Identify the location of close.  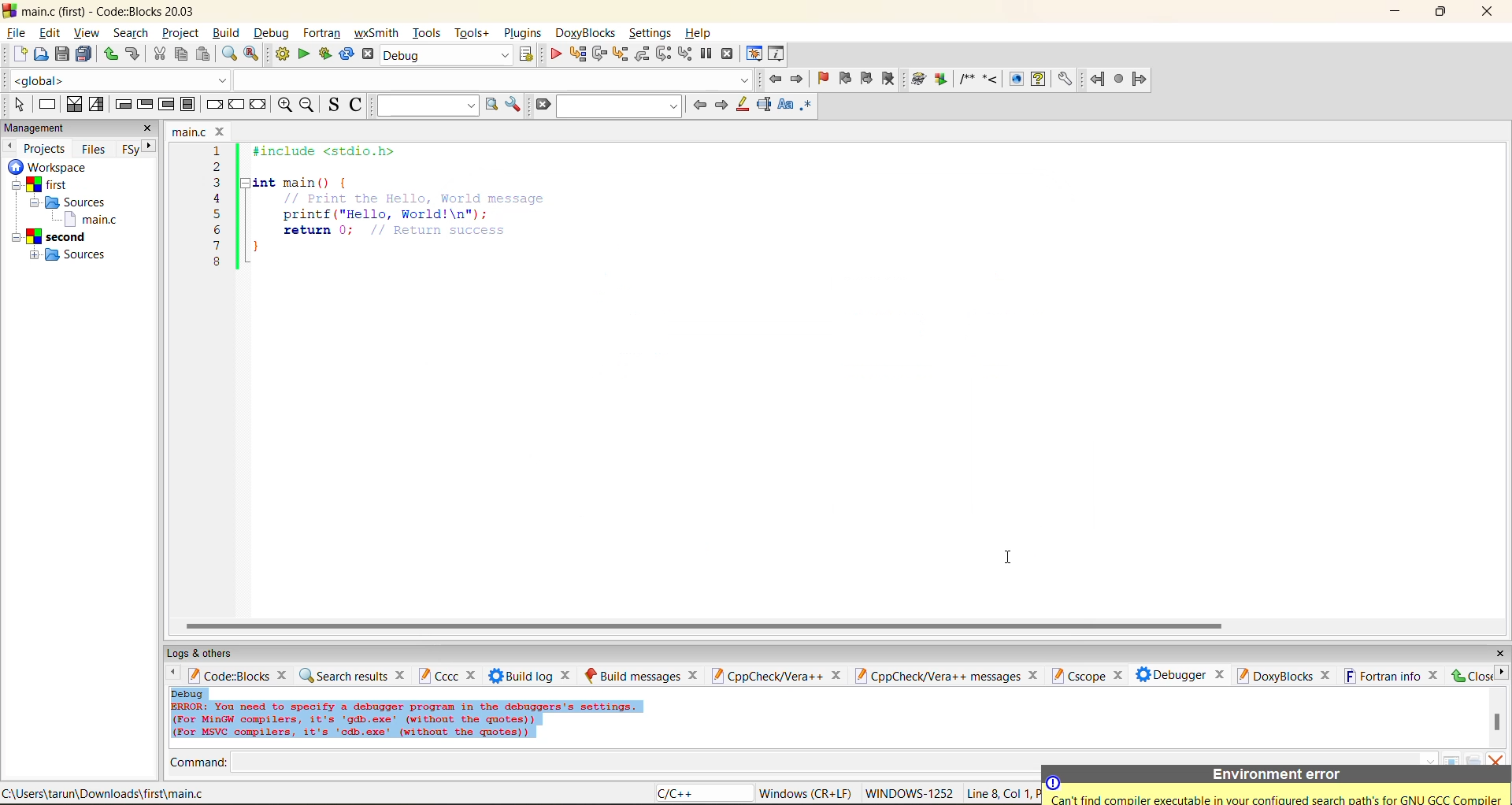
(148, 128).